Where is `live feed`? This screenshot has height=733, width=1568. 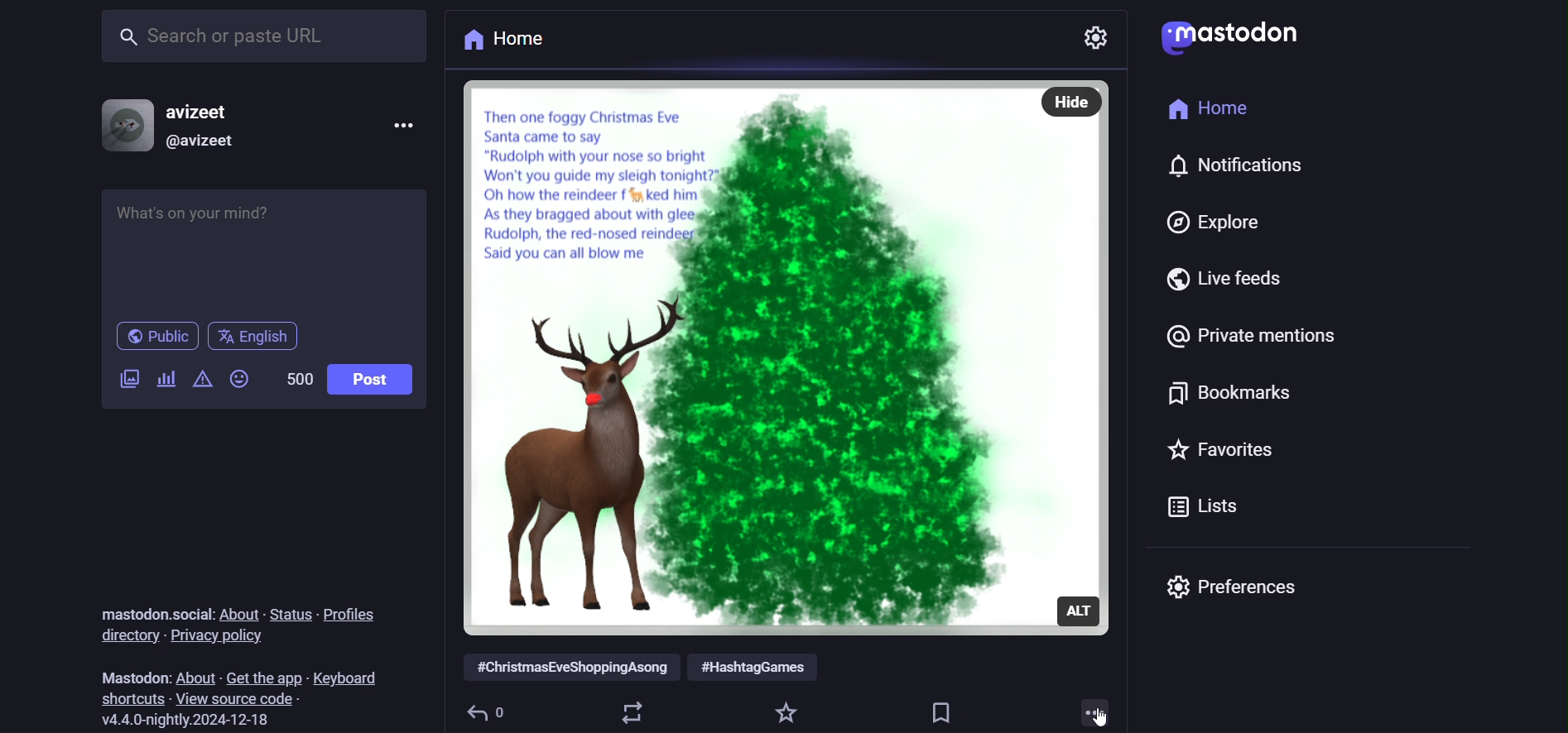 live feed is located at coordinates (1231, 275).